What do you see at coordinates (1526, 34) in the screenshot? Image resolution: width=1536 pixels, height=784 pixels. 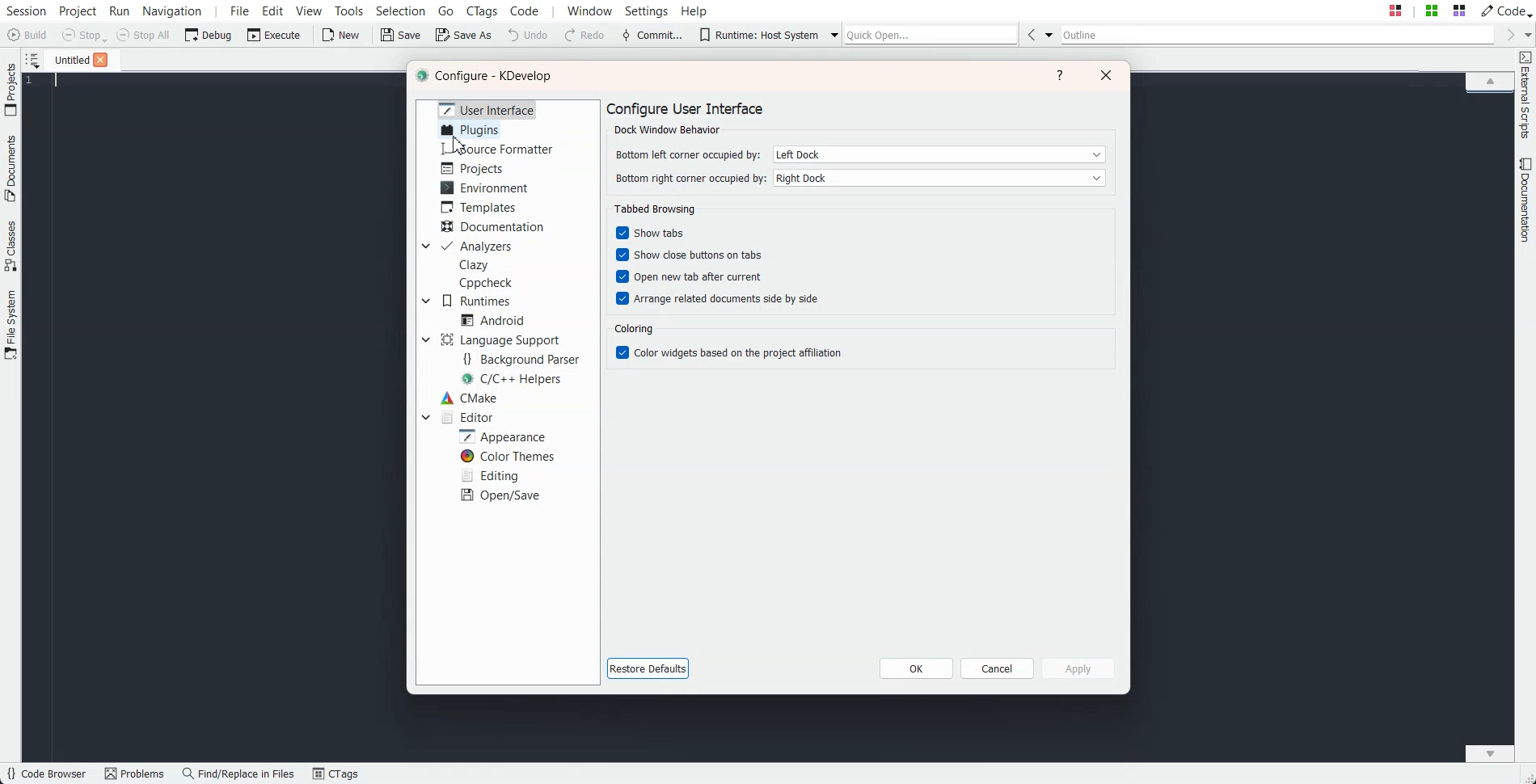 I see `Drop down box` at bounding box center [1526, 34].